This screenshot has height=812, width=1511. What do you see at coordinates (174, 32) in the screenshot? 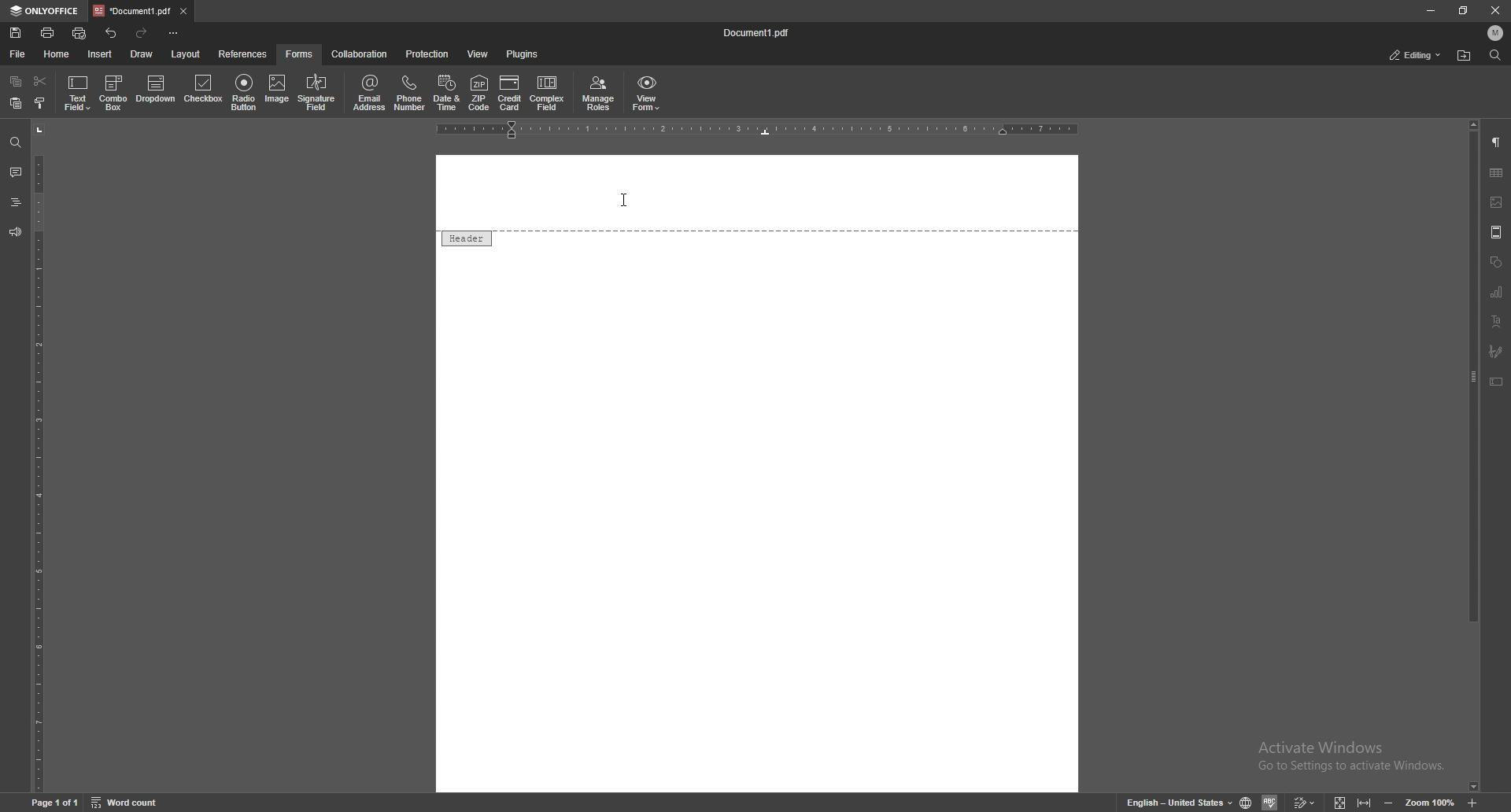
I see `configure toolbar` at bounding box center [174, 32].